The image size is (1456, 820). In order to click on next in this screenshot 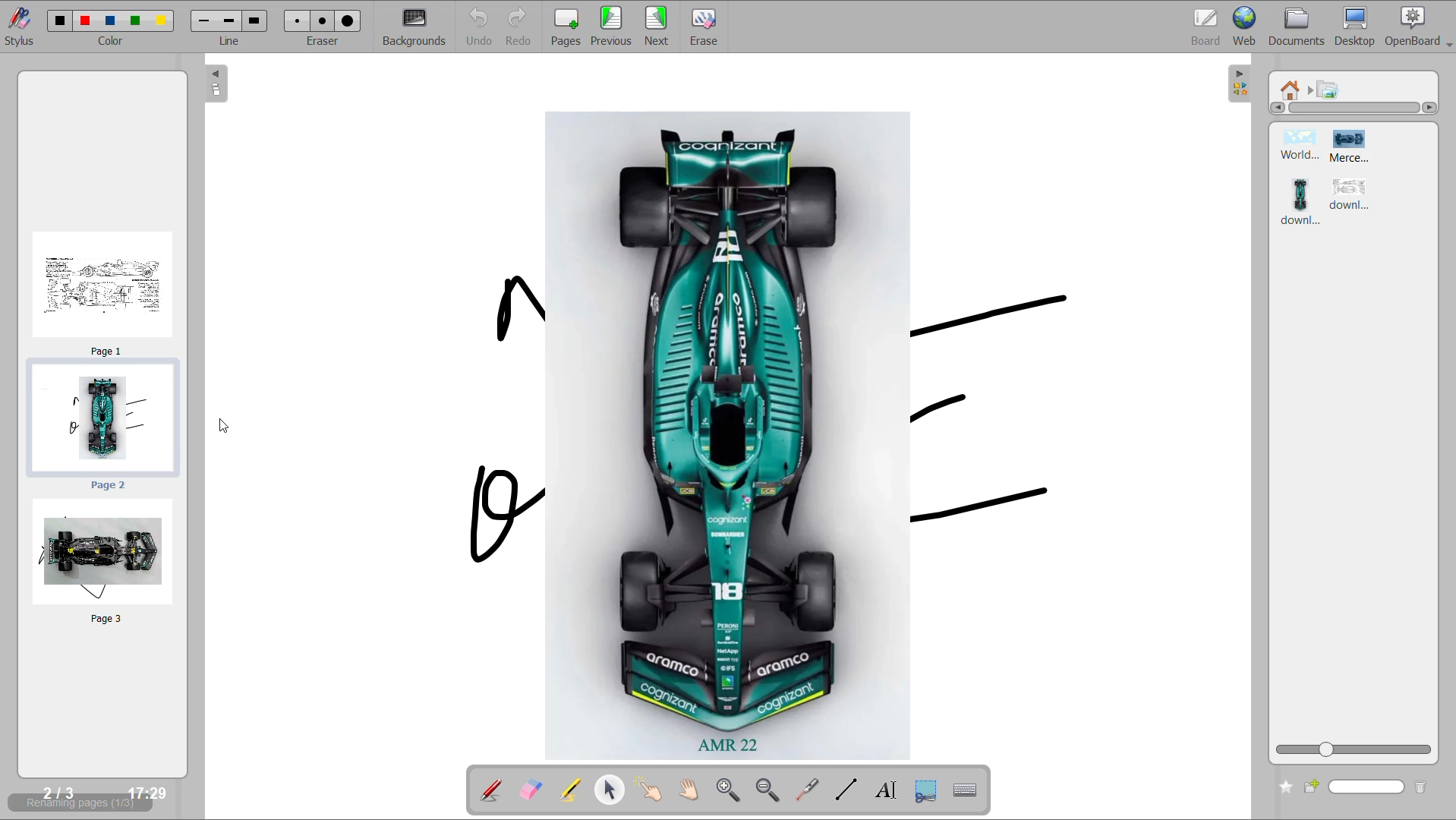, I will do `click(659, 27)`.